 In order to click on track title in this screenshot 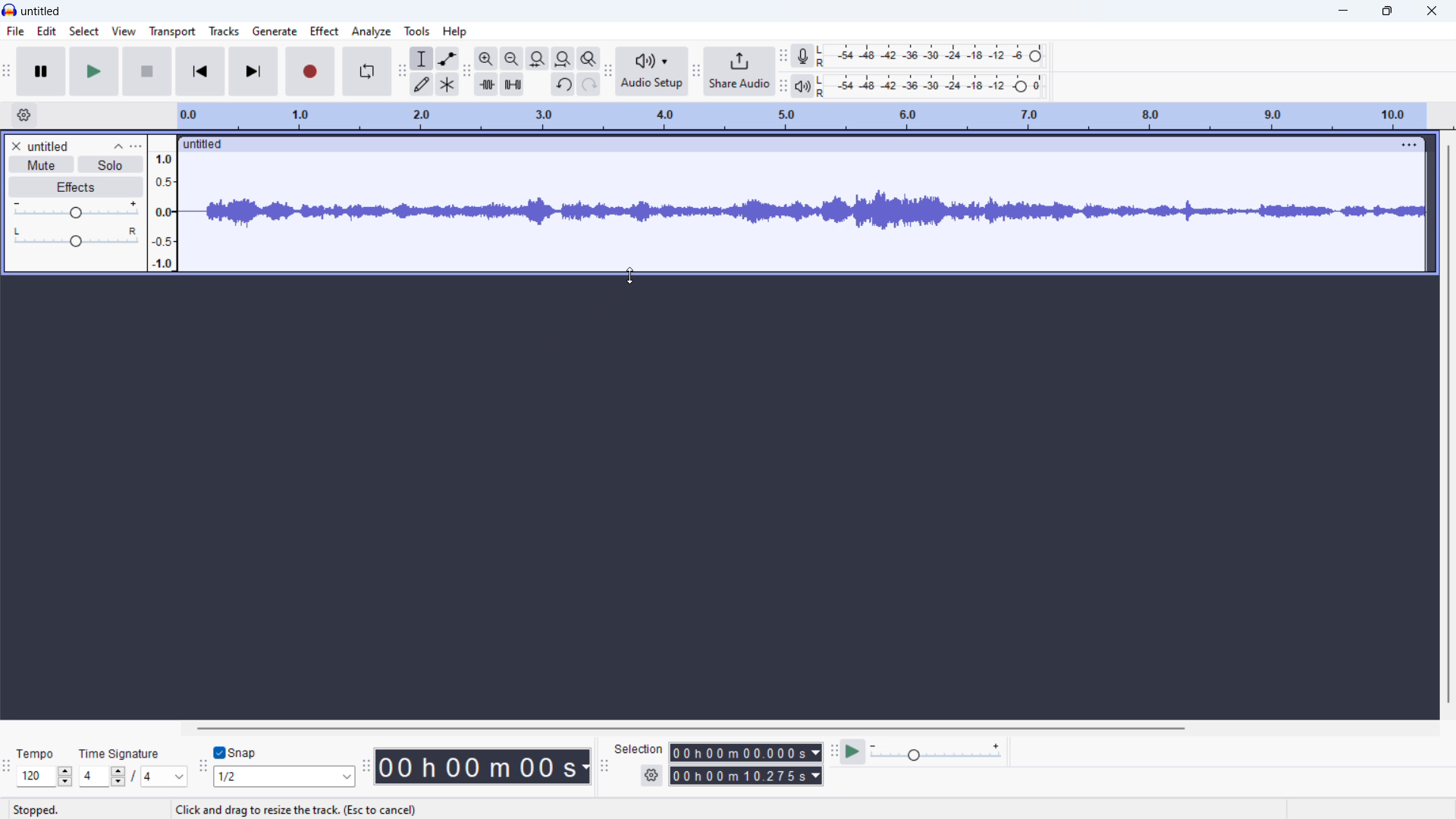, I will do `click(49, 146)`.